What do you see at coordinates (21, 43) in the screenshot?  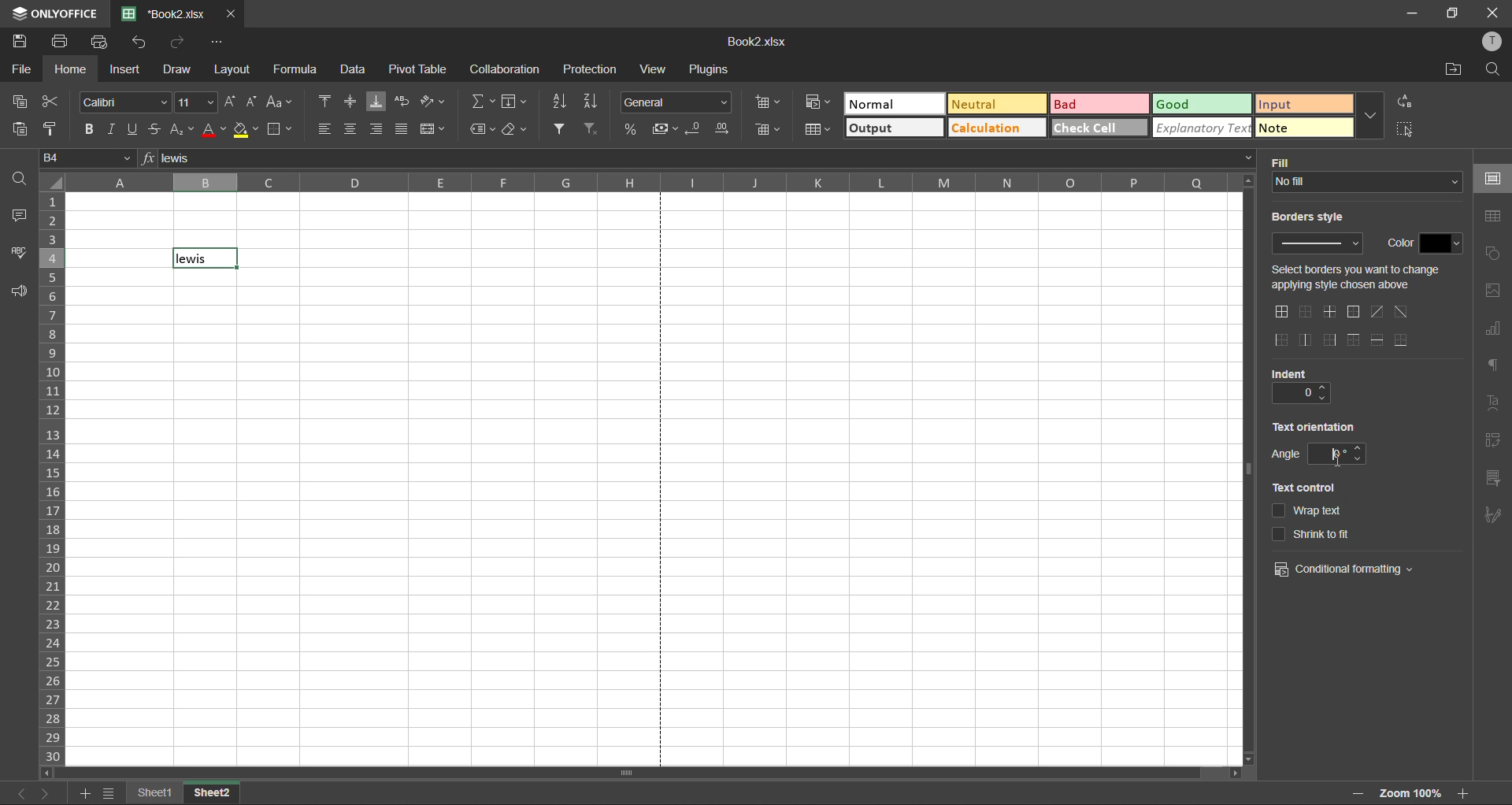 I see `save` at bounding box center [21, 43].